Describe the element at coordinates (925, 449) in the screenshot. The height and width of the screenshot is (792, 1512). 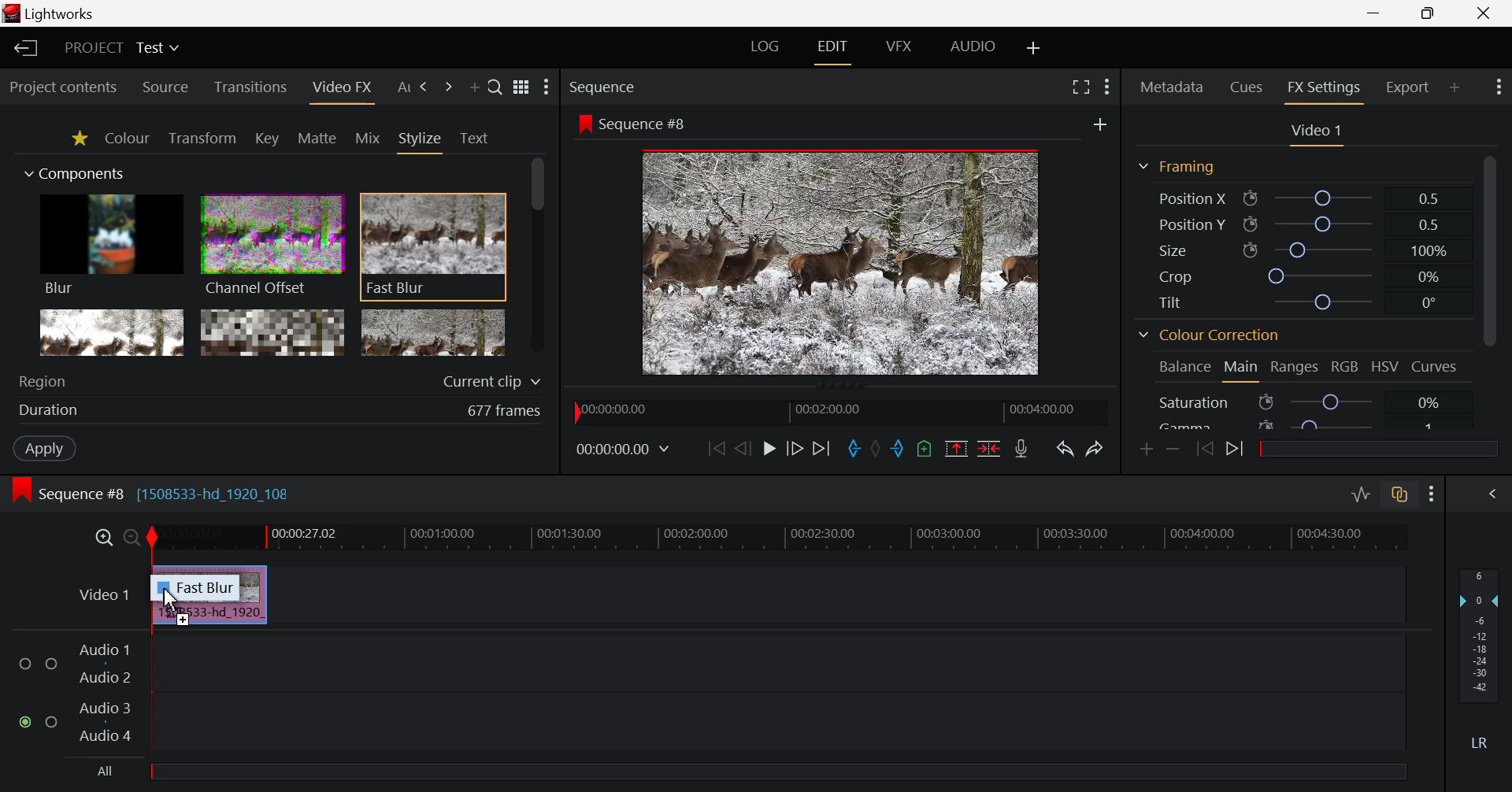
I see `Mark Cue` at that location.